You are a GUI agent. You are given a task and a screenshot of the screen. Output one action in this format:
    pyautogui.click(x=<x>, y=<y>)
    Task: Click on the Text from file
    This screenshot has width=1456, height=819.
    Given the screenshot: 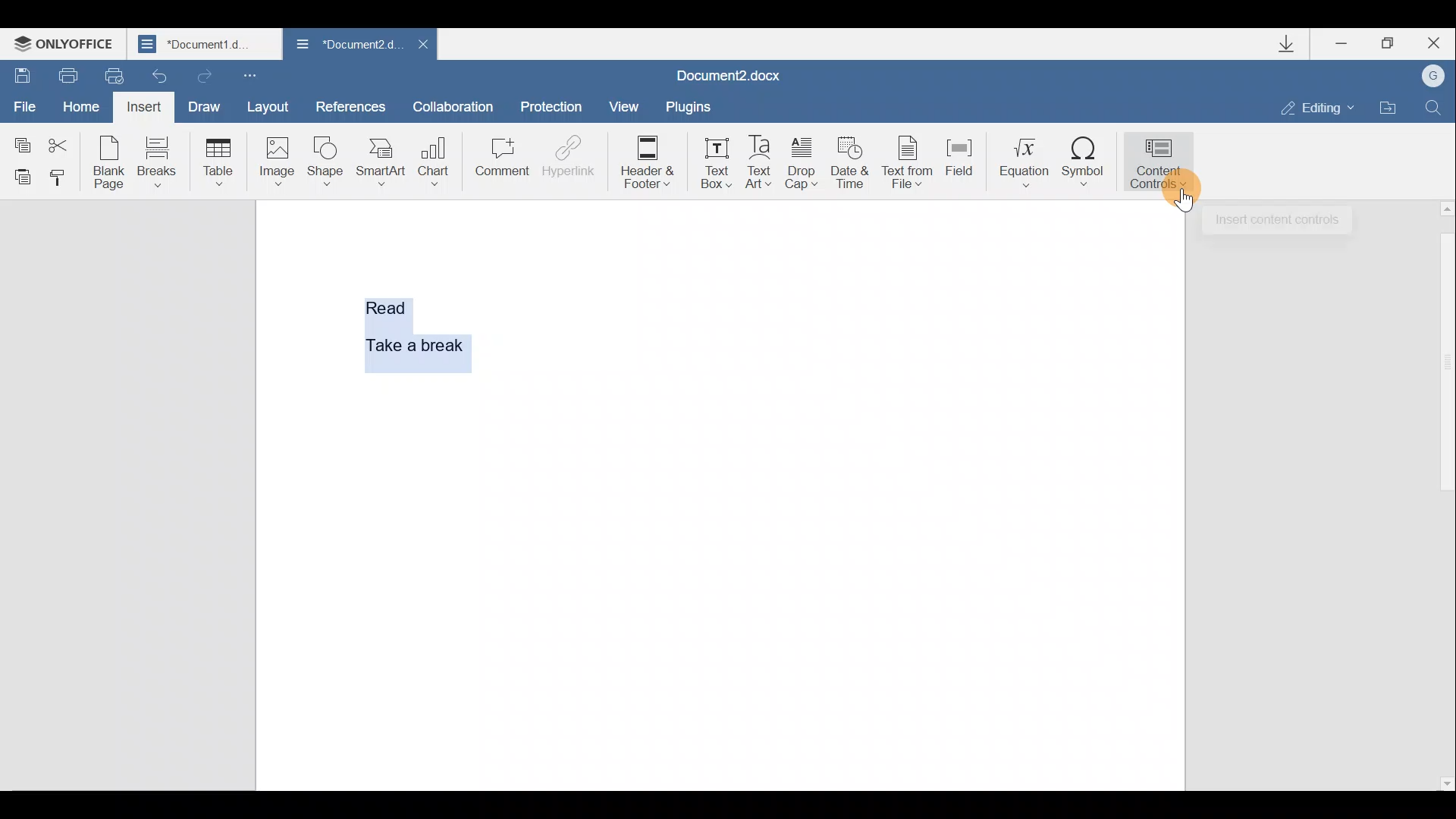 What is the action you would take?
    pyautogui.click(x=909, y=165)
    